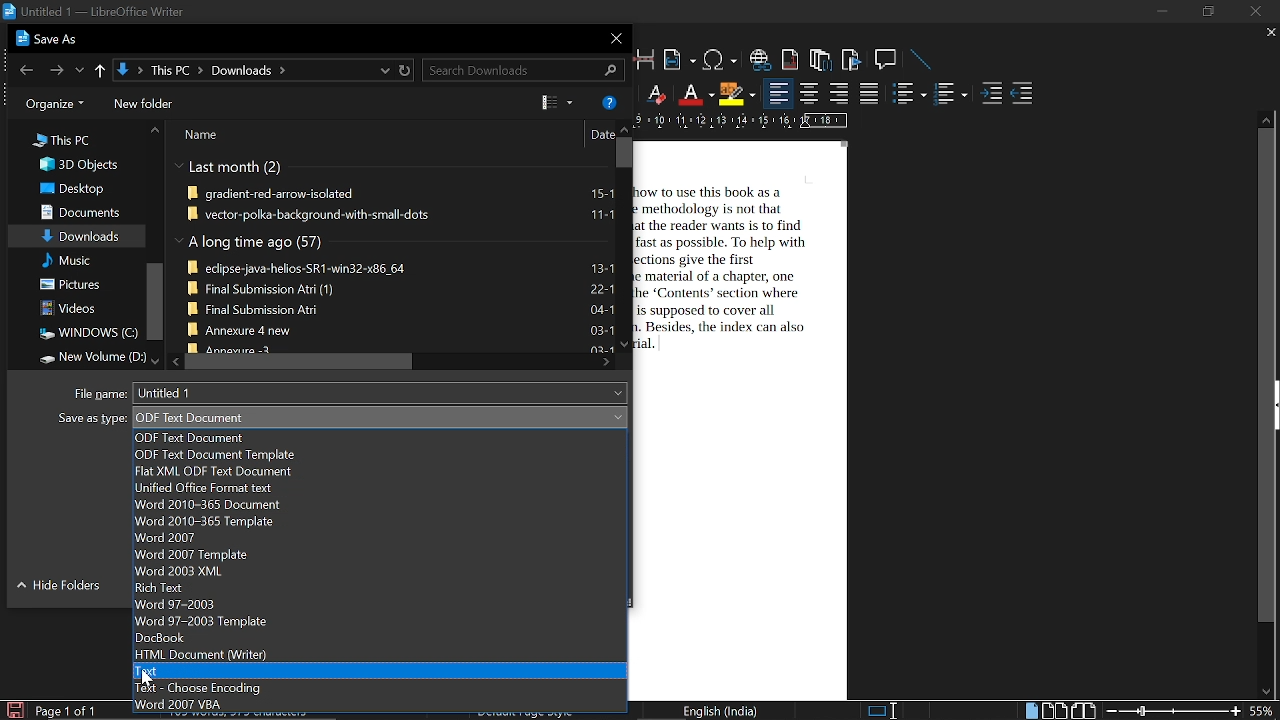  Describe the element at coordinates (81, 235) in the screenshot. I see `Downloads` at that location.